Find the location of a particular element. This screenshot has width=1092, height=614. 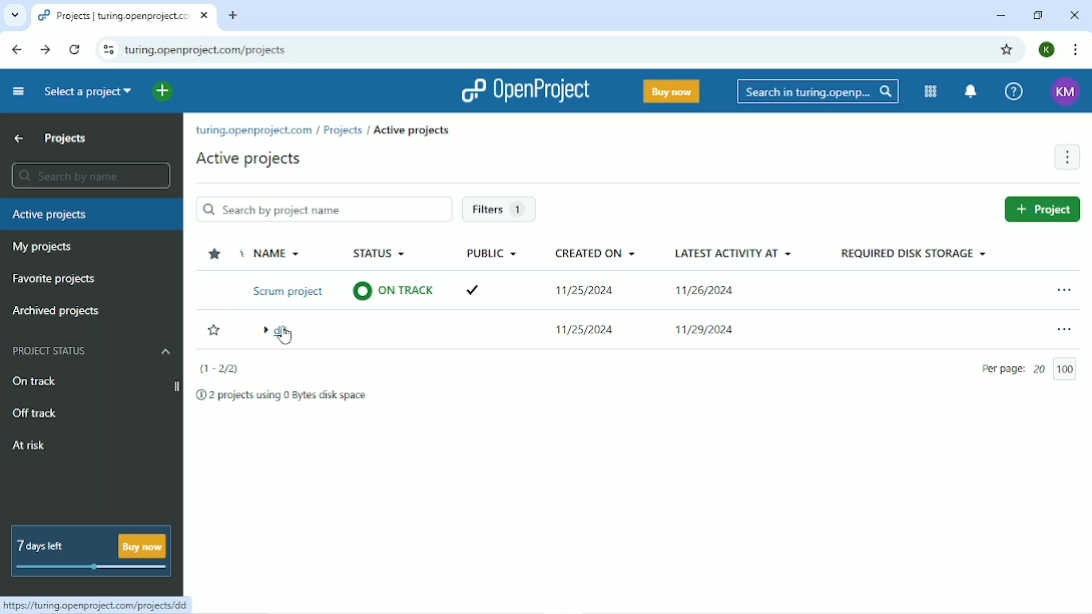

dir is located at coordinates (276, 328).